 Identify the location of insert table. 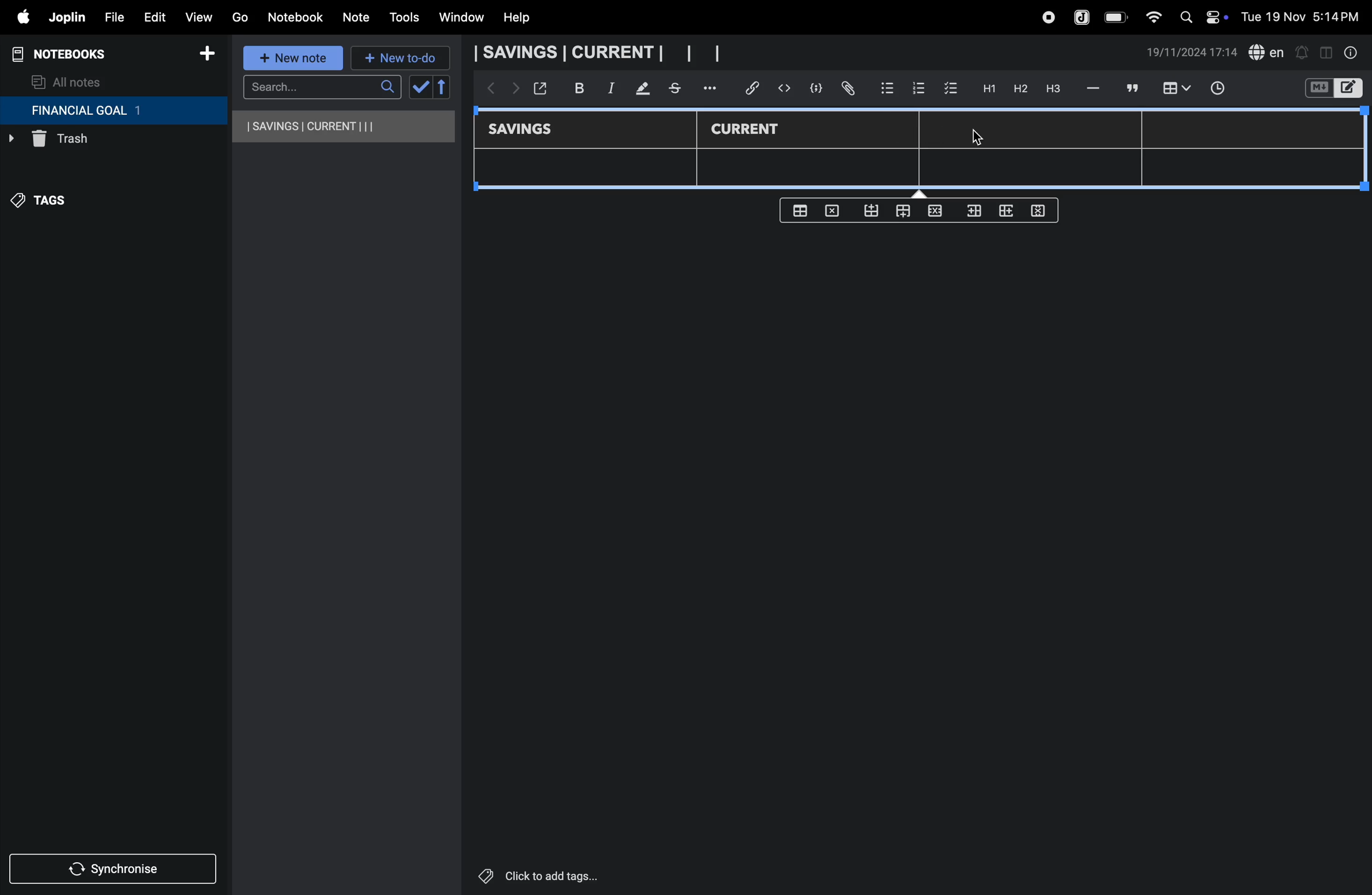
(1174, 89).